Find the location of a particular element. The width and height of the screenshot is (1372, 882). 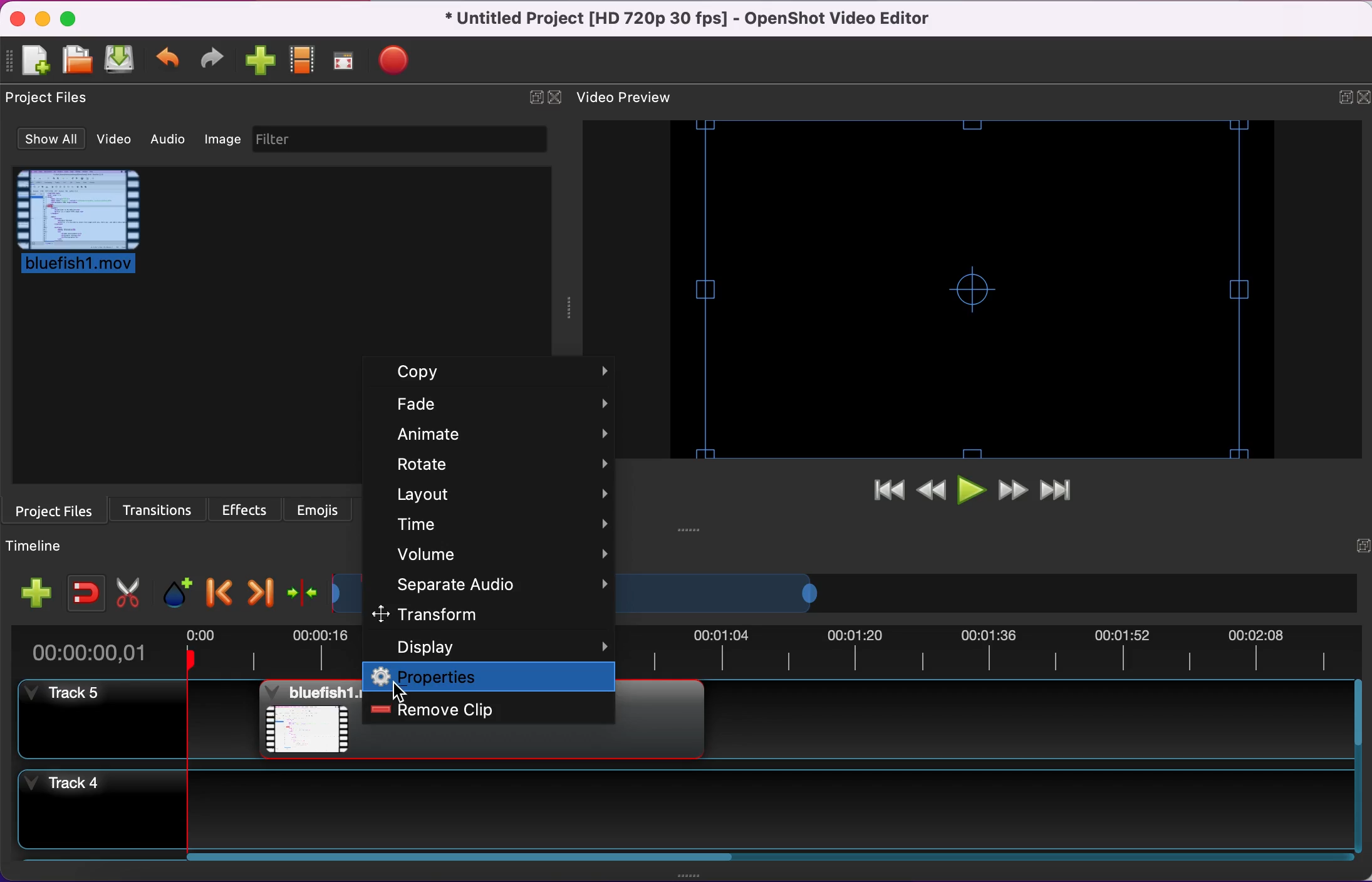

expand/hide is located at coordinates (1343, 96).